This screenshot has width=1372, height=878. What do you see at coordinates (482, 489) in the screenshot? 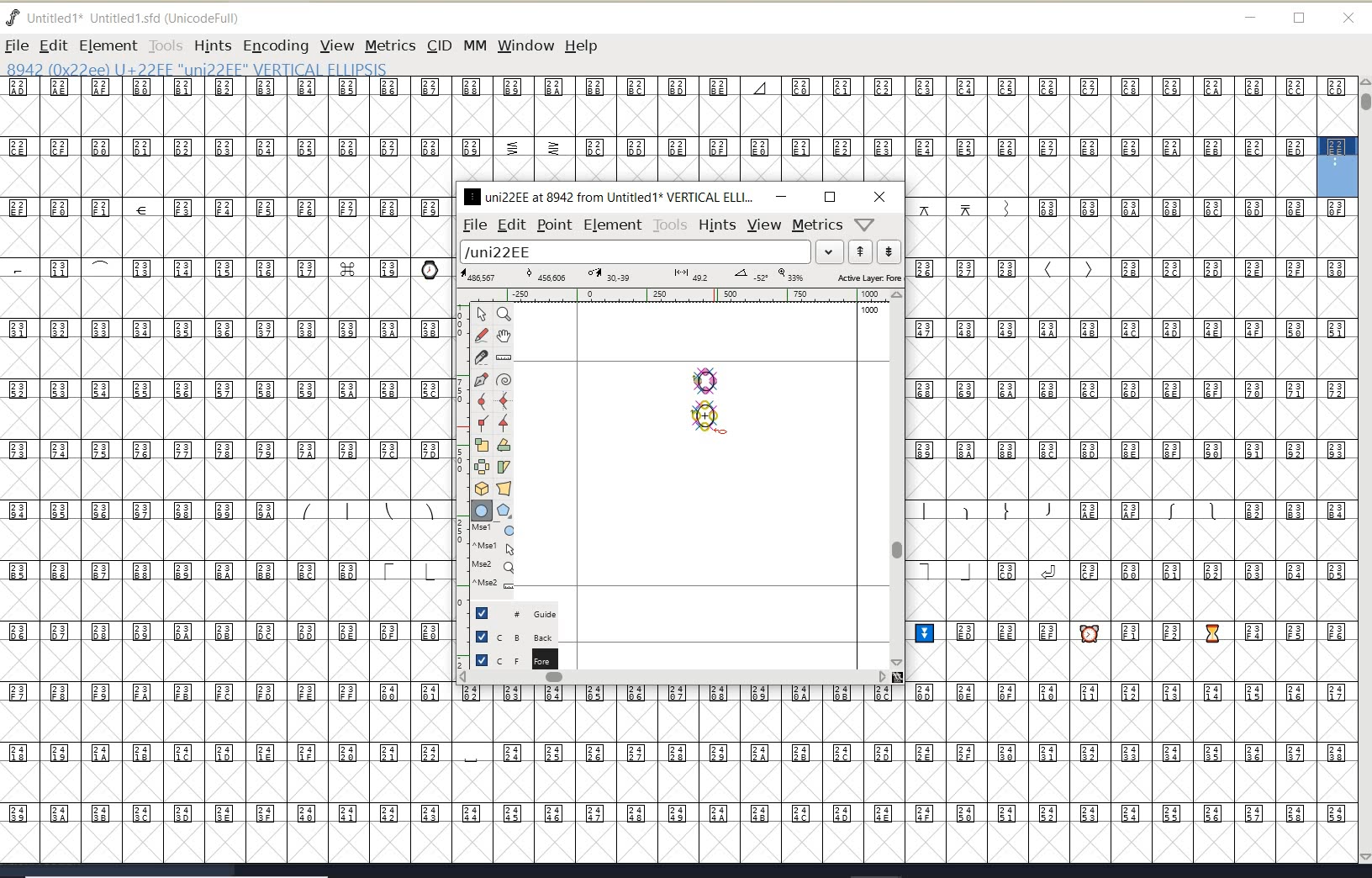
I see `rotate the selection in 3d and project back to plane` at bounding box center [482, 489].